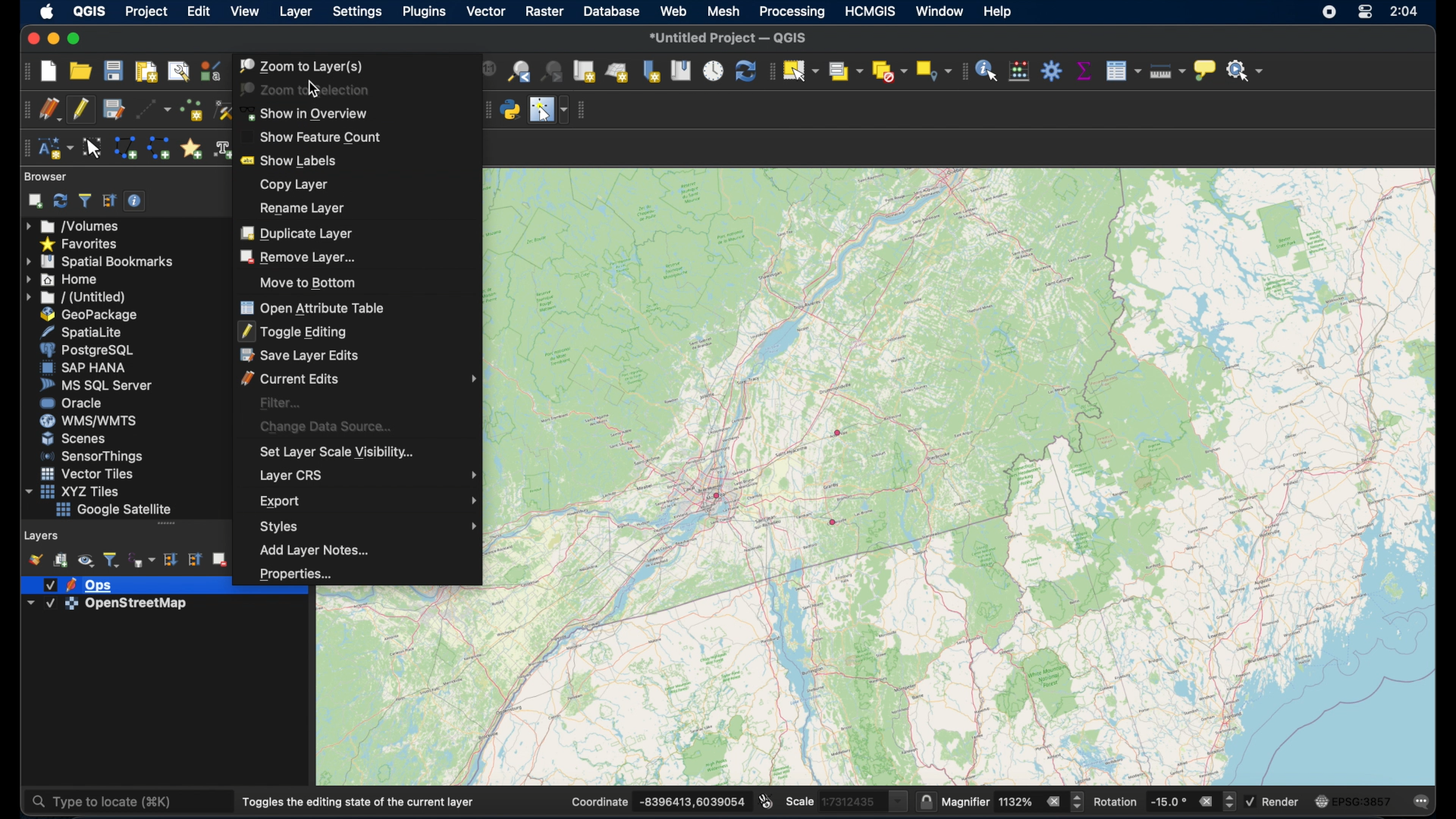  What do you see at coordinates (112, 604) in the screenshot?
I see `layer` at bounding box center [112, 604].